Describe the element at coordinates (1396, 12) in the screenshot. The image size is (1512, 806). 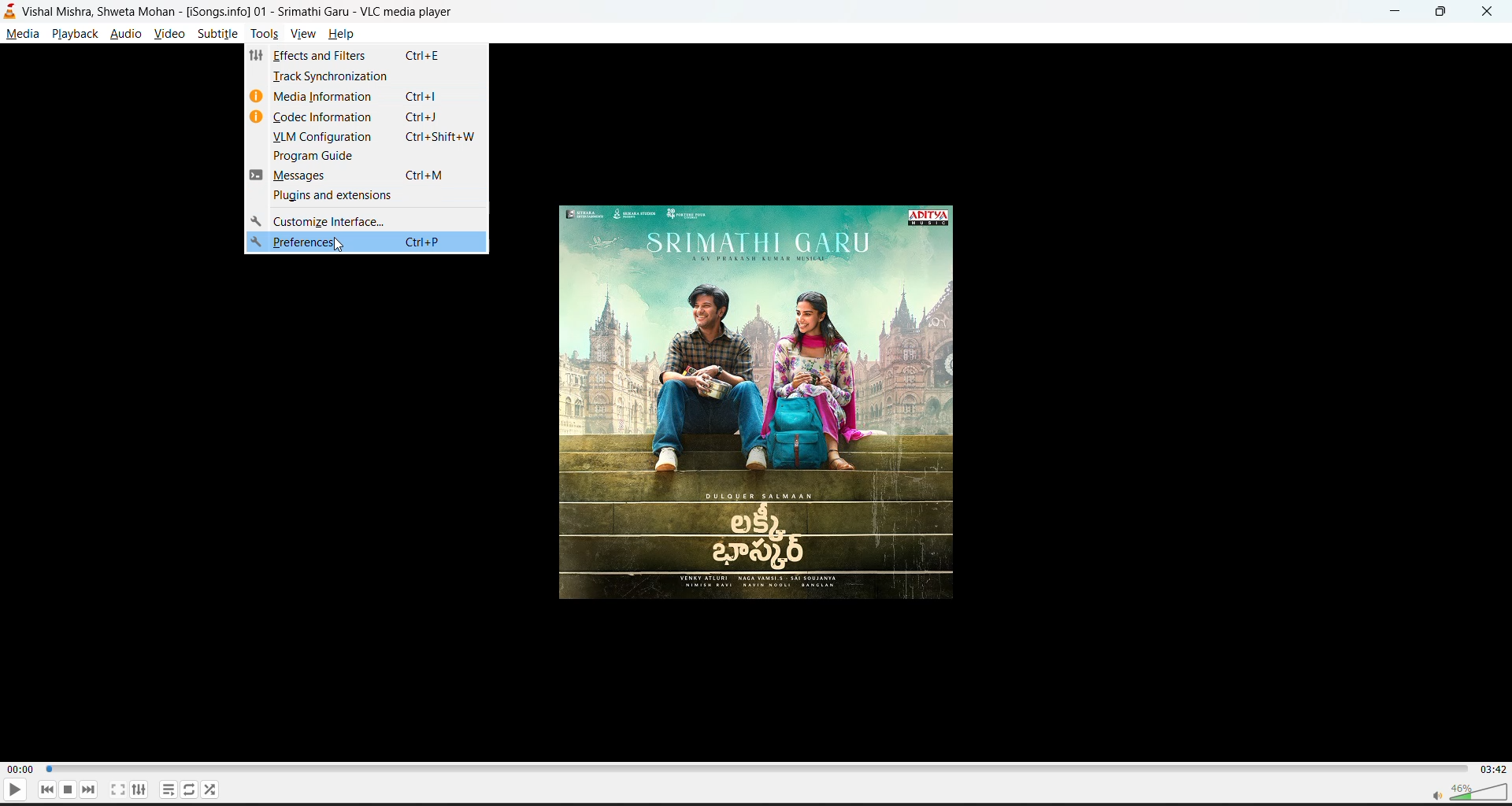
I see `minimize` at that location.